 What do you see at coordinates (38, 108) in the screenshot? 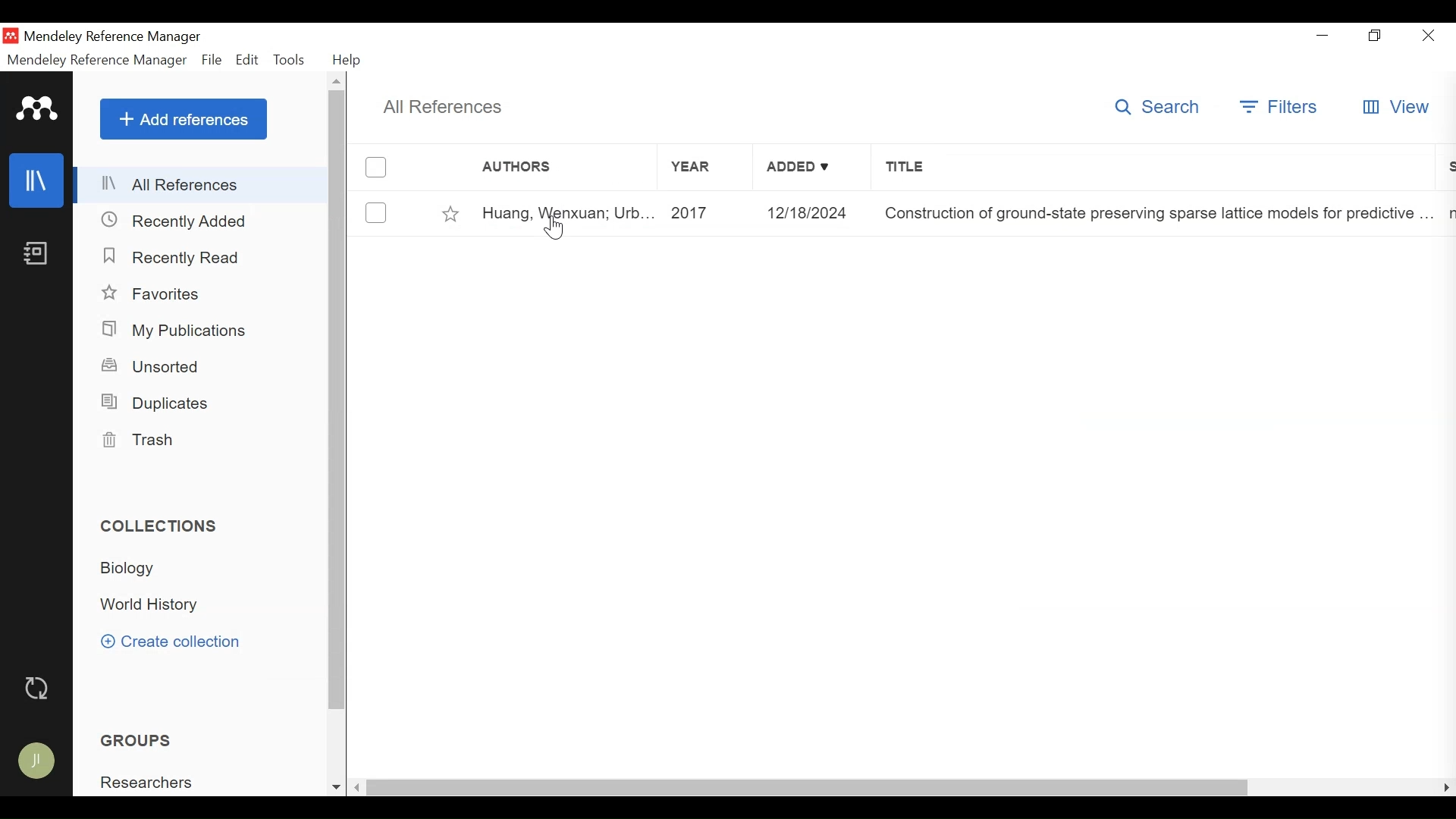
I see `Mendeley Logo` at bounding box center [38, 108].